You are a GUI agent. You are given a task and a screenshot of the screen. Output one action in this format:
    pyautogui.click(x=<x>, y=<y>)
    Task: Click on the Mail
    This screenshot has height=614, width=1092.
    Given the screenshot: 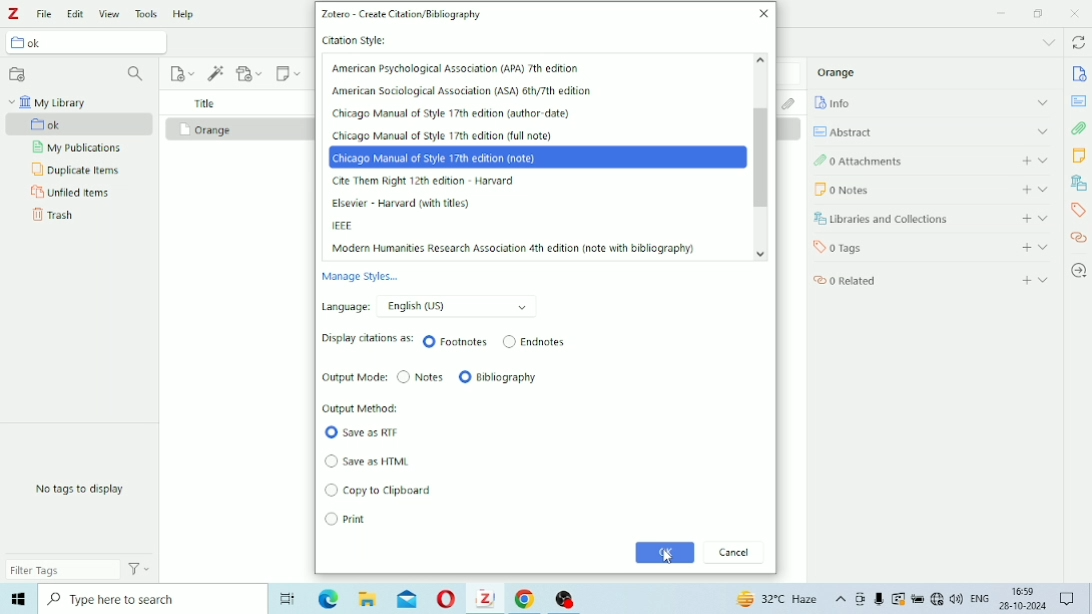 What is the action you would take?
    pyautogui.click(x=407, y=599)
    